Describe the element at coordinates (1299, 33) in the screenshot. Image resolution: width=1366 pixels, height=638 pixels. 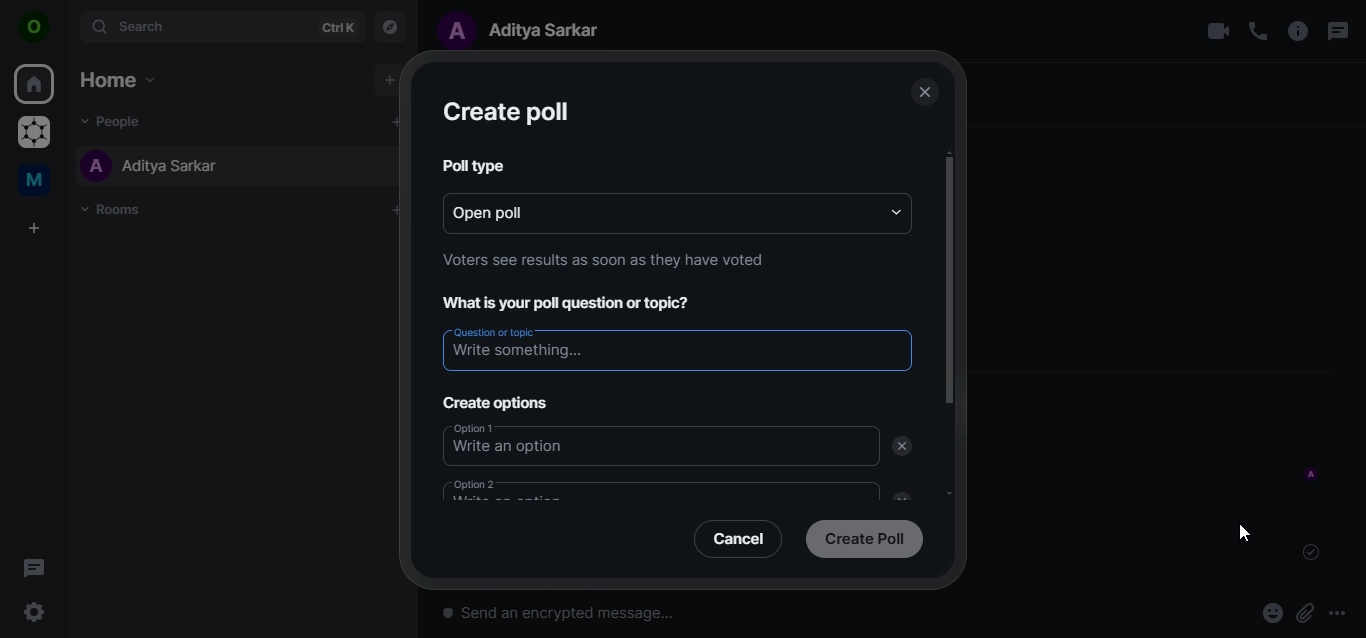
I see `room options` at that location.